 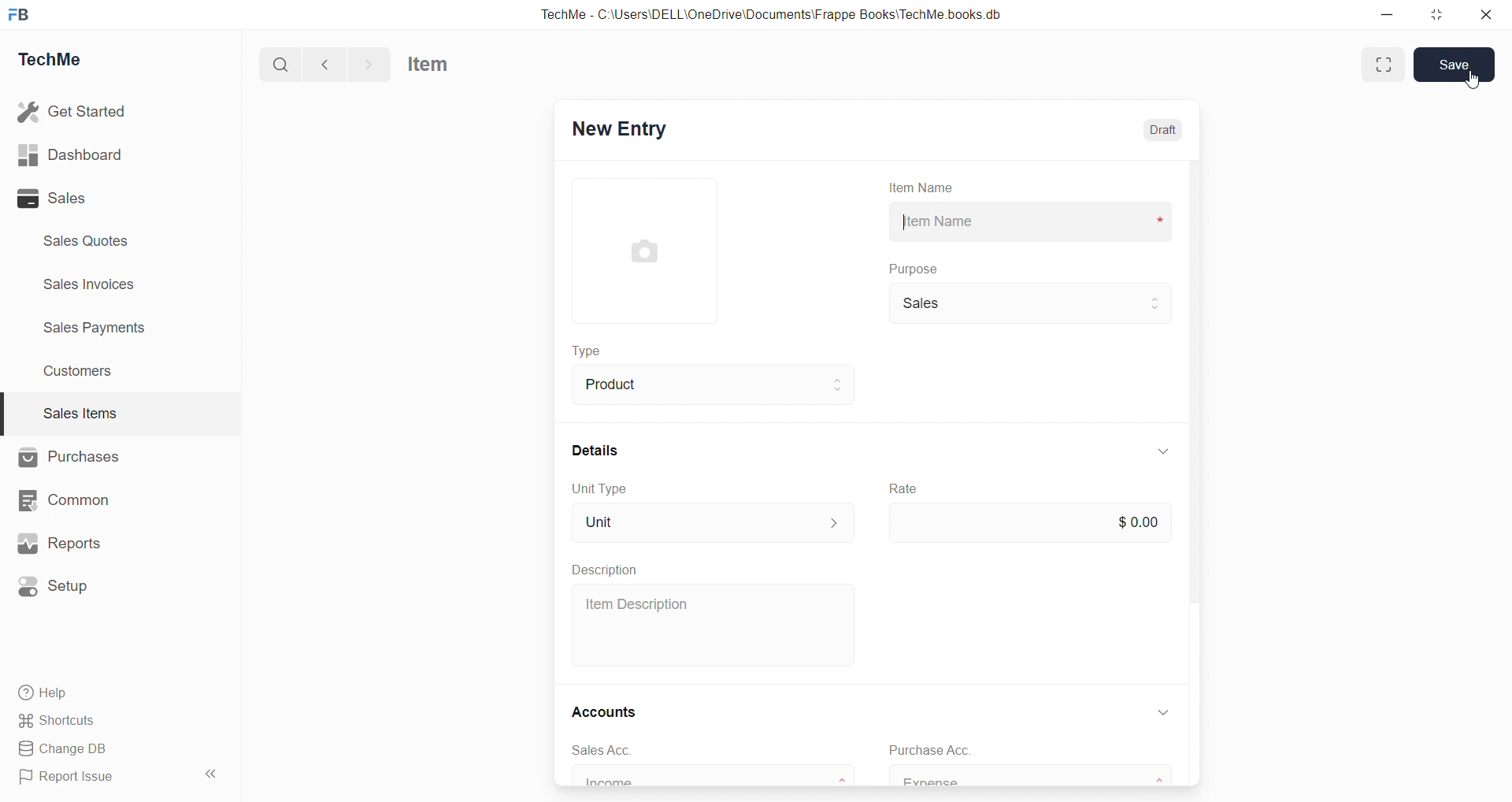 What do you see at coordinates (1033, 221) in the screenshot?
I see `Item Name` at bounding box center [1033, 221].